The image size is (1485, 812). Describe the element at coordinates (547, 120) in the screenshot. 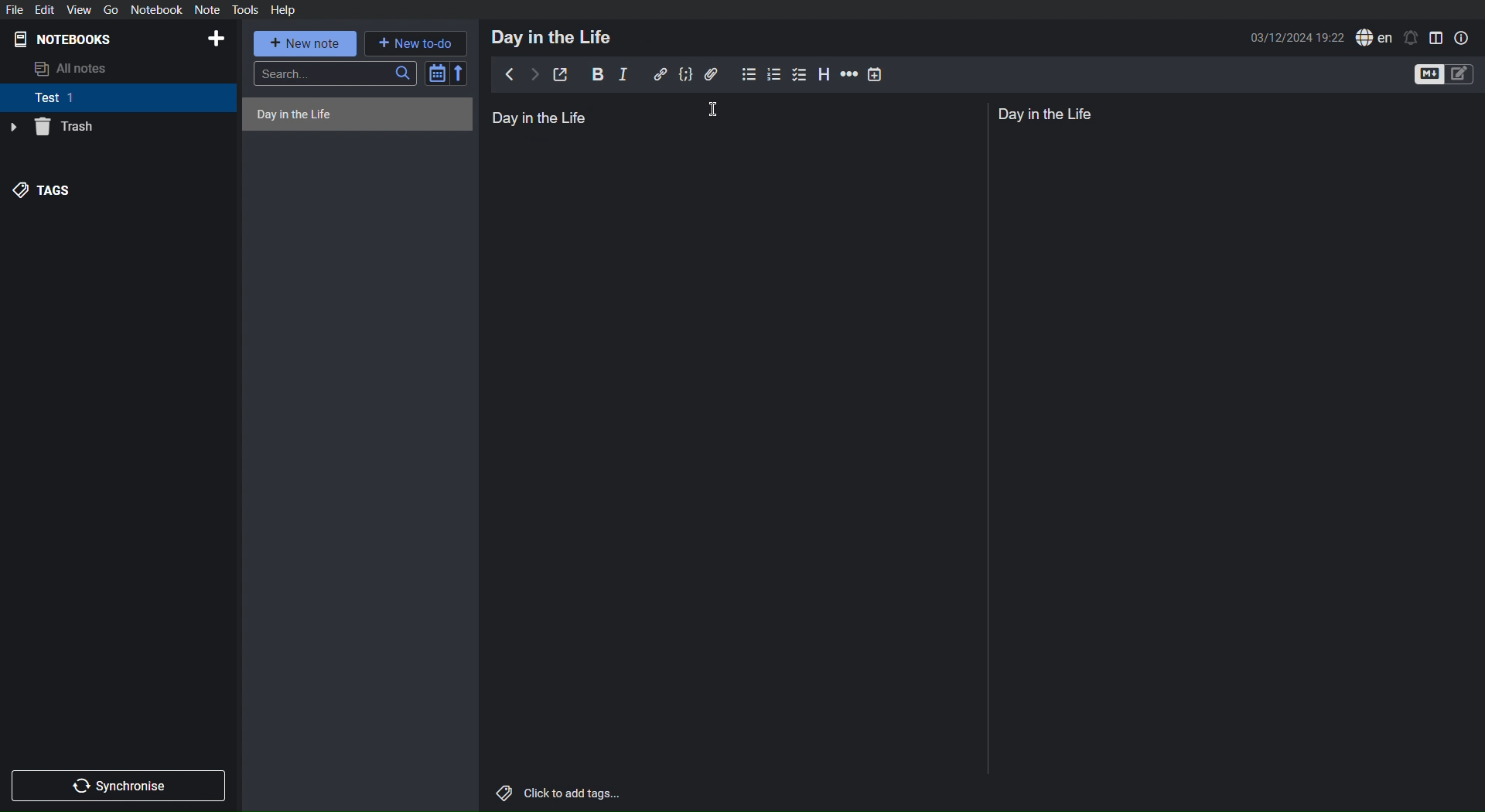

I see `Day in the Life` at that location.